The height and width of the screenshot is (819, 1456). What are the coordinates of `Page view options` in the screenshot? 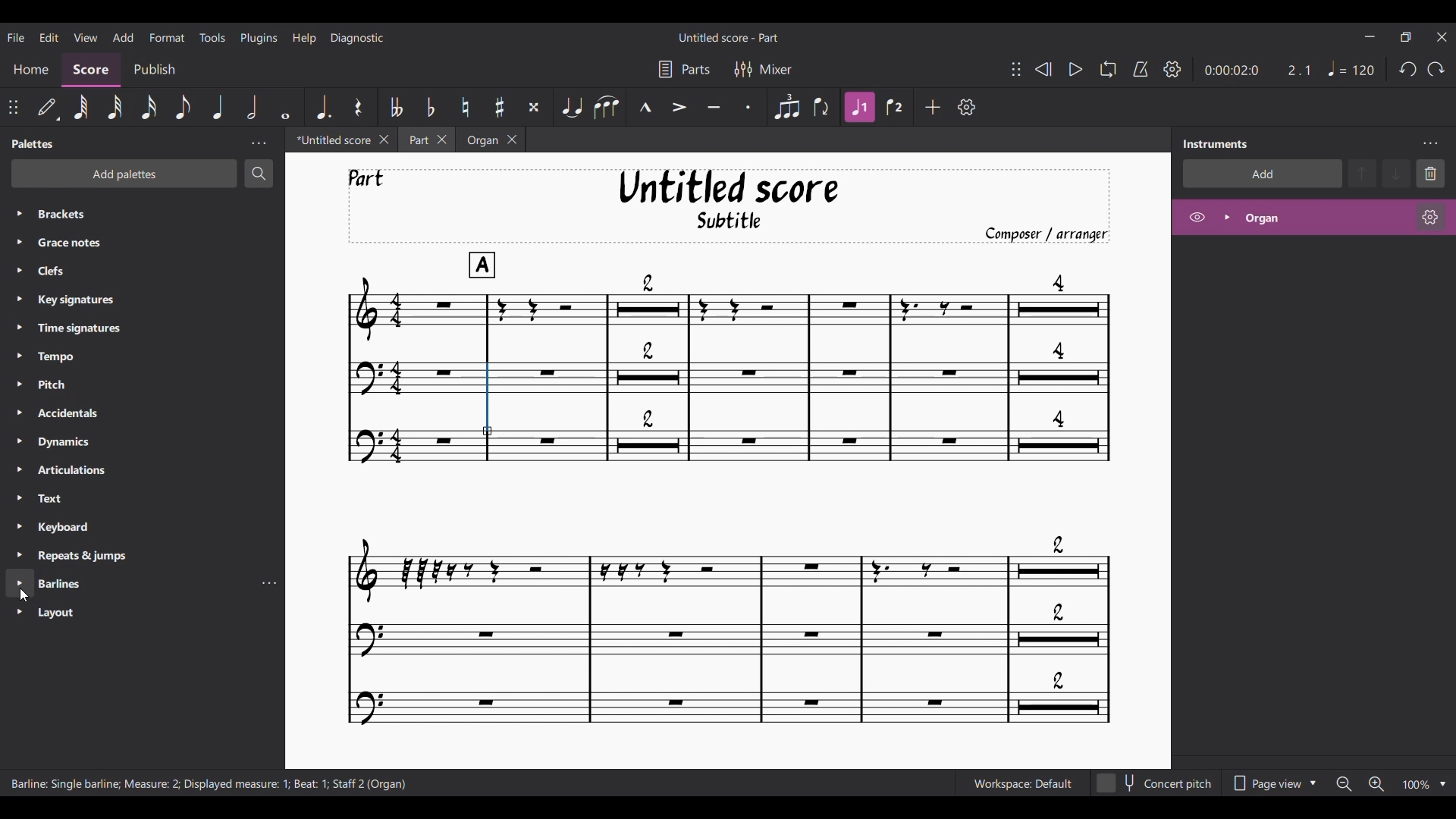 It's located at (1273, 783).